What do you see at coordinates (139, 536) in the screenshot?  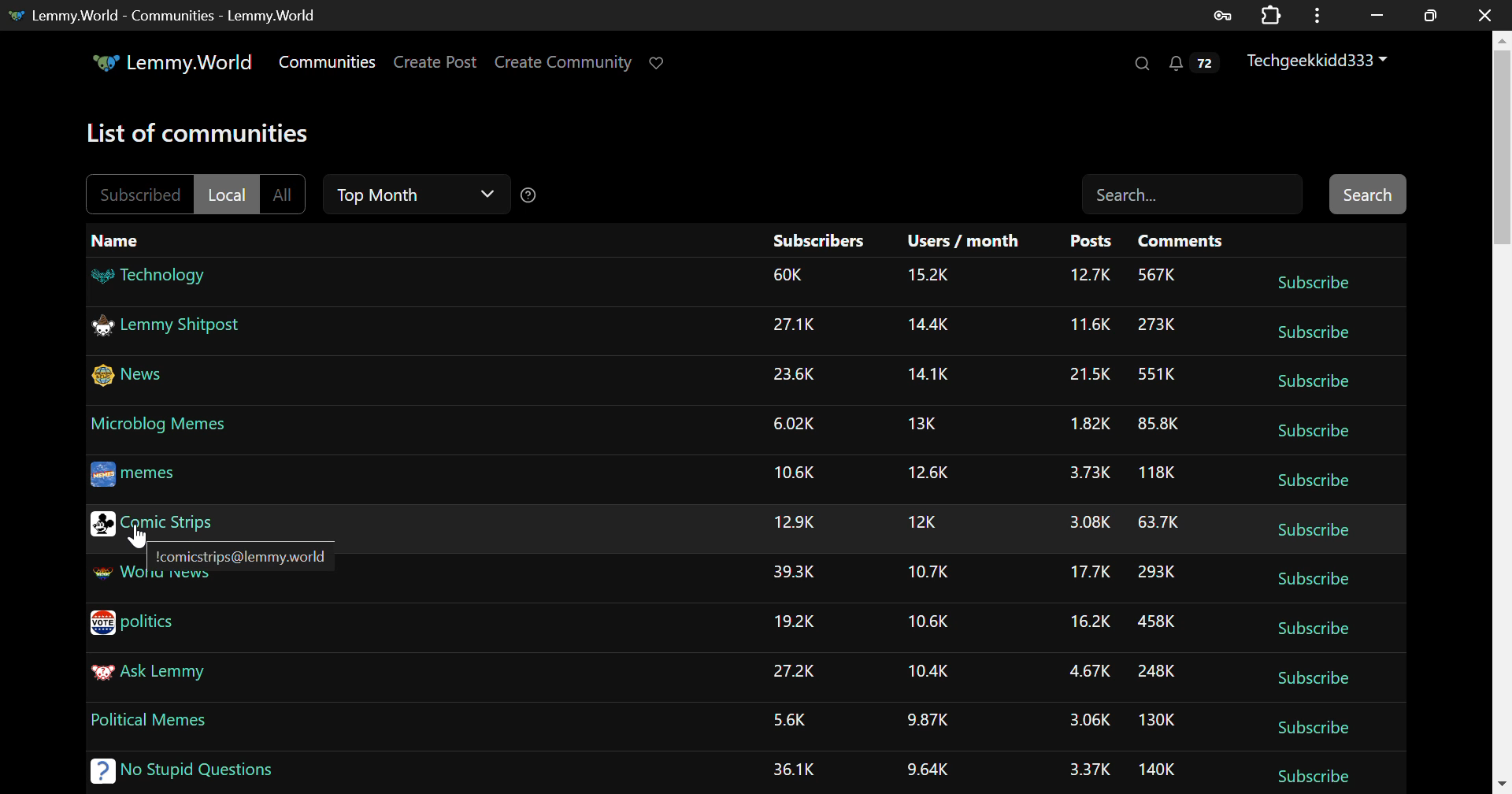 I see `Cursor Position` at bounding box center [139, 536].